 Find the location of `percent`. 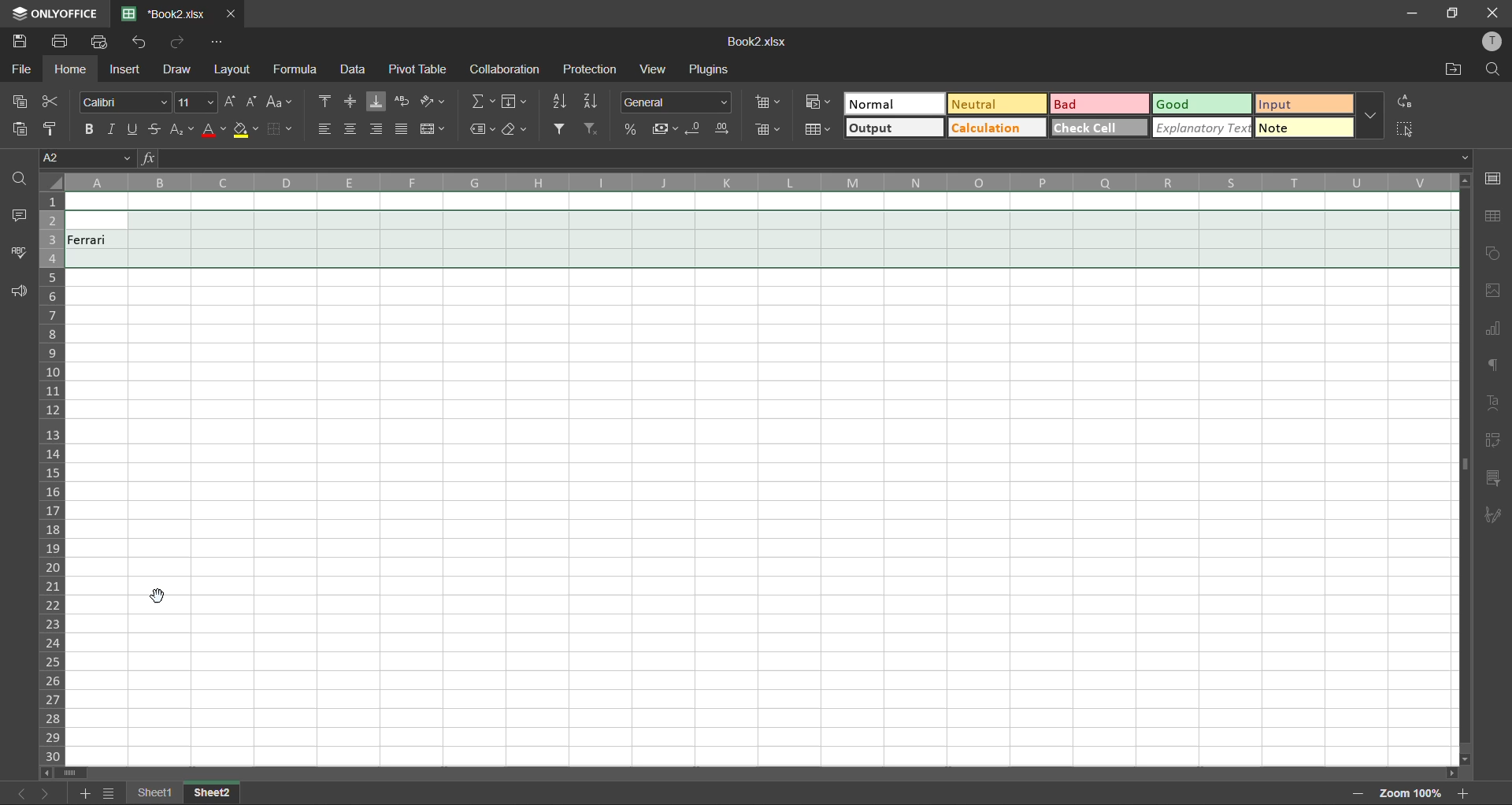

percent is located at coordinates (635, 131).